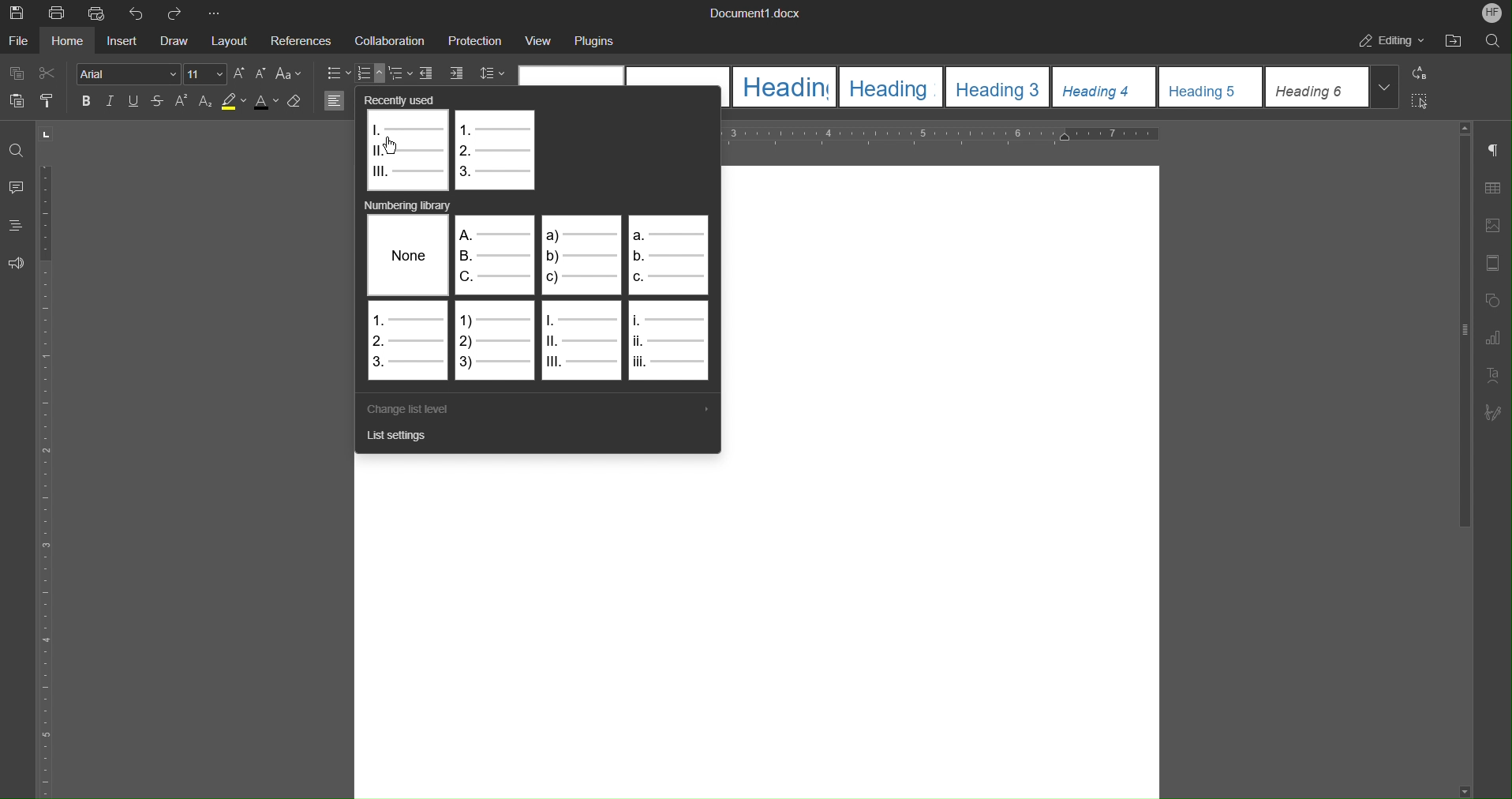 The image size is (1512, 799). Describe the element at coordinates (157, 101) in the screenshot. I see `Strikethrough` at that location.